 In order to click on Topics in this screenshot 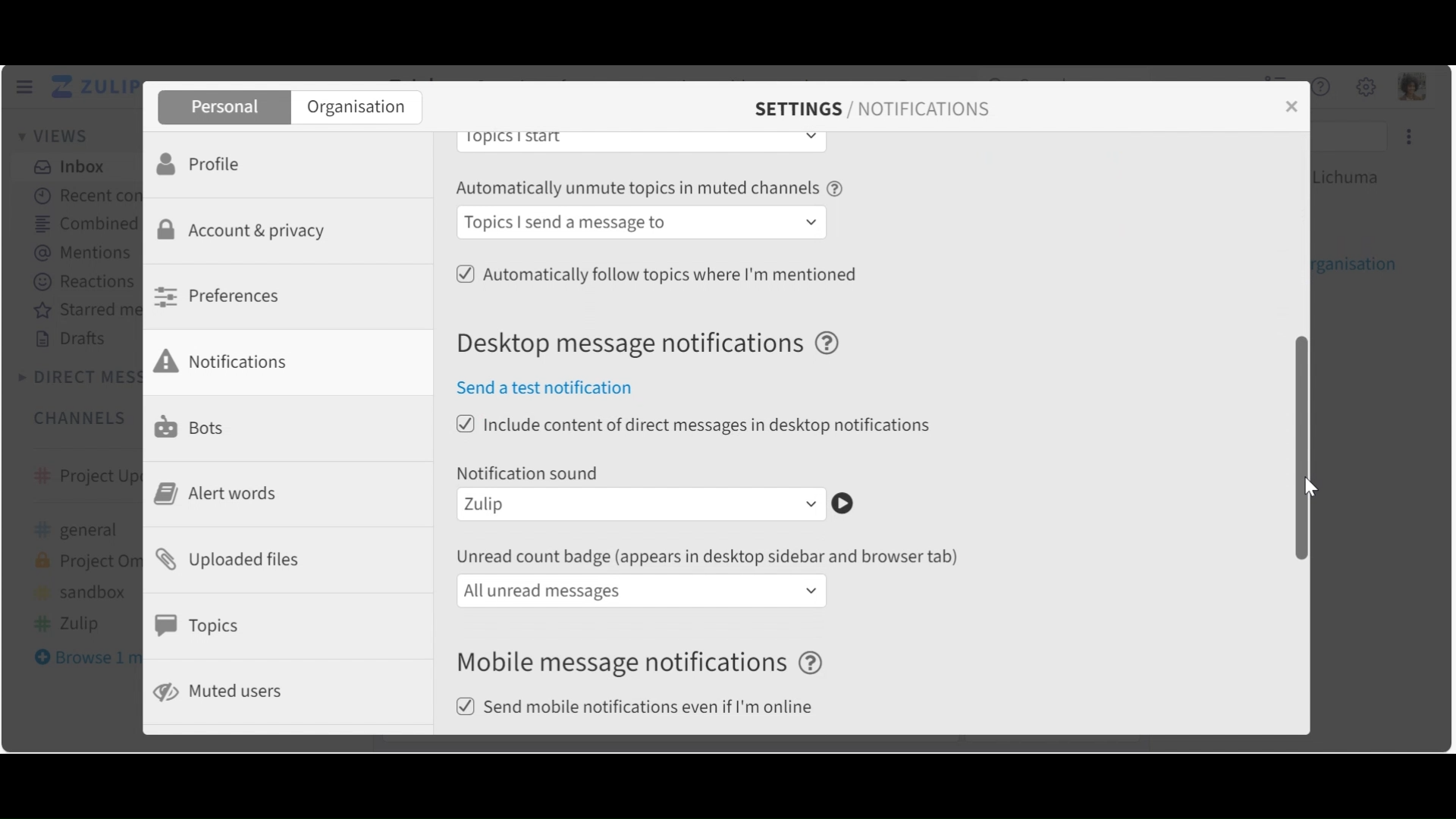, I will do `click(202, 626)`.